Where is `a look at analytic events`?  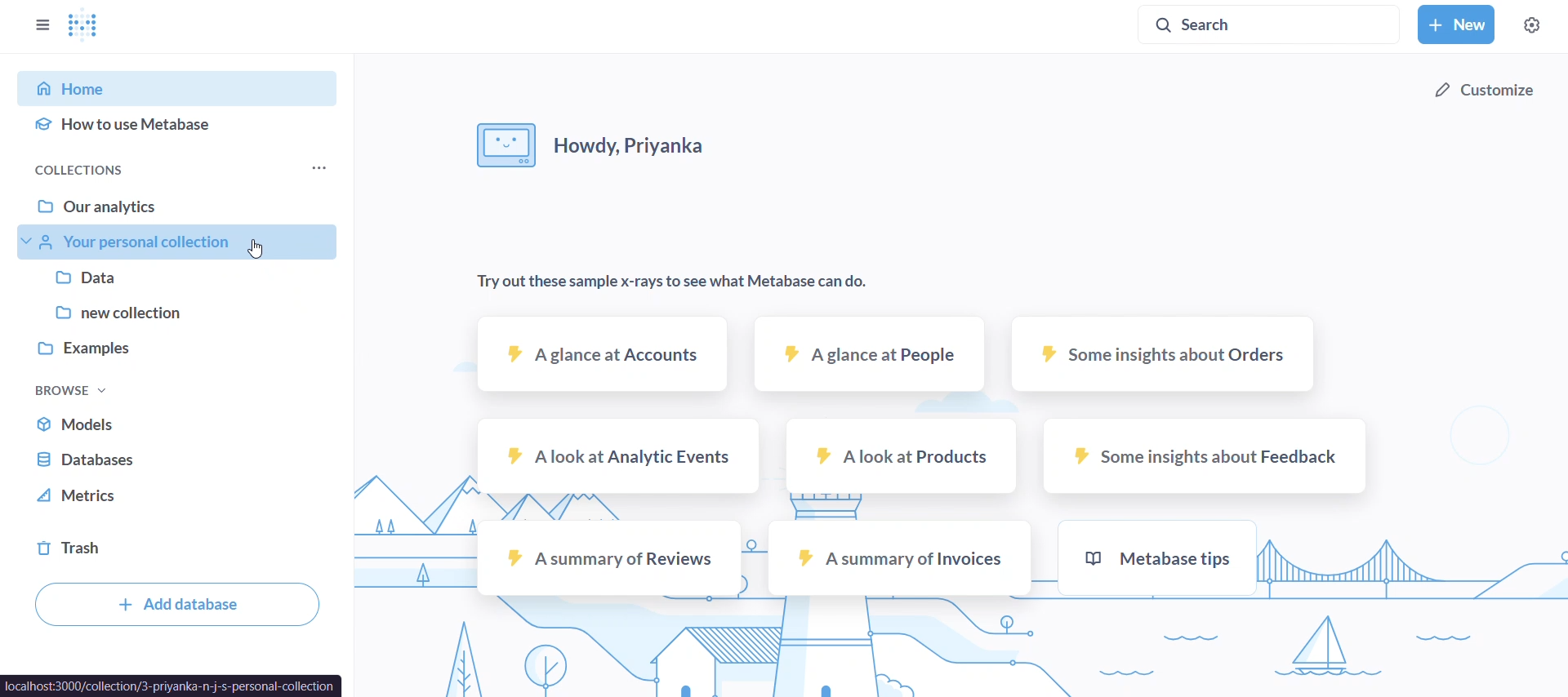 a look at analytic events is located at coordinates (617, 455).